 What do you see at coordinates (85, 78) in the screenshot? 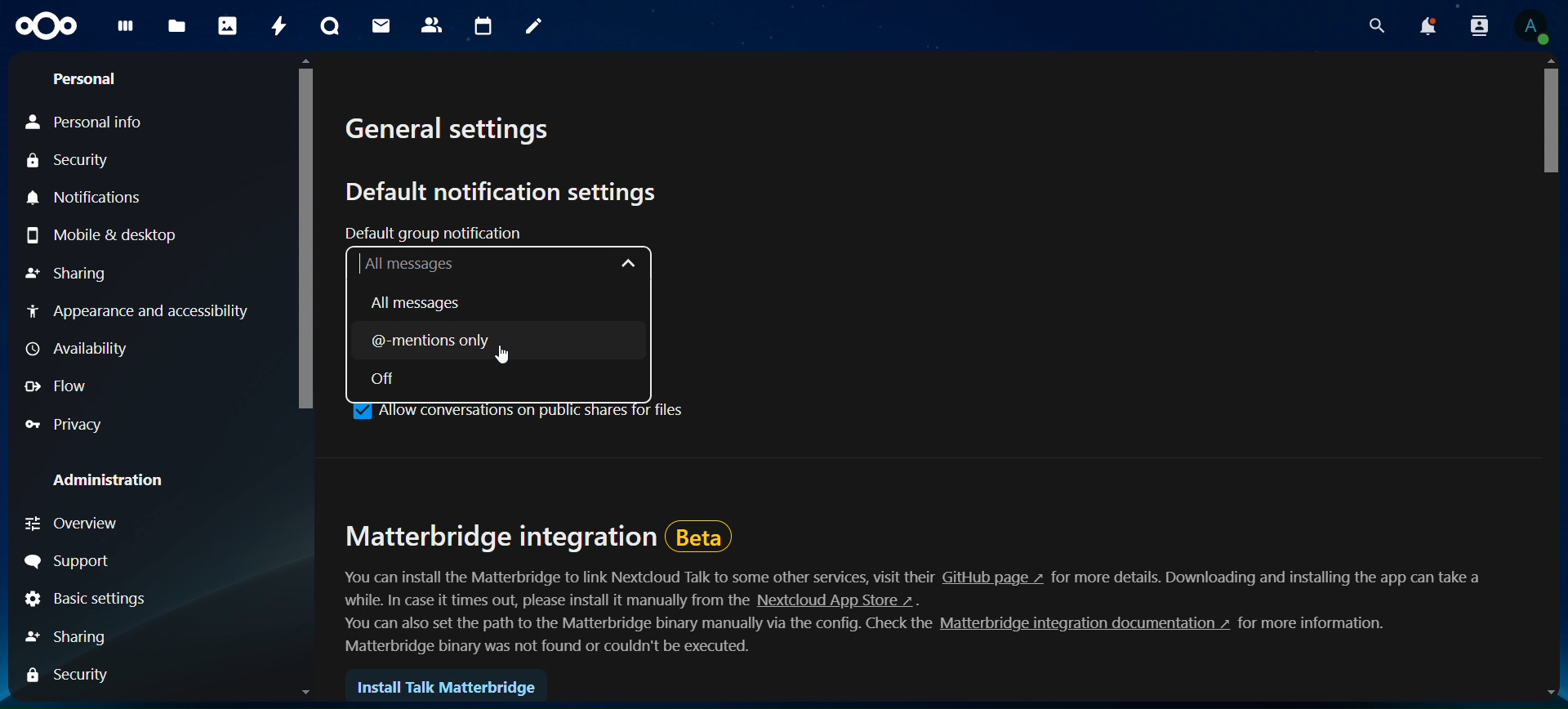
I see `personal ` at bounding box center [85, 78].